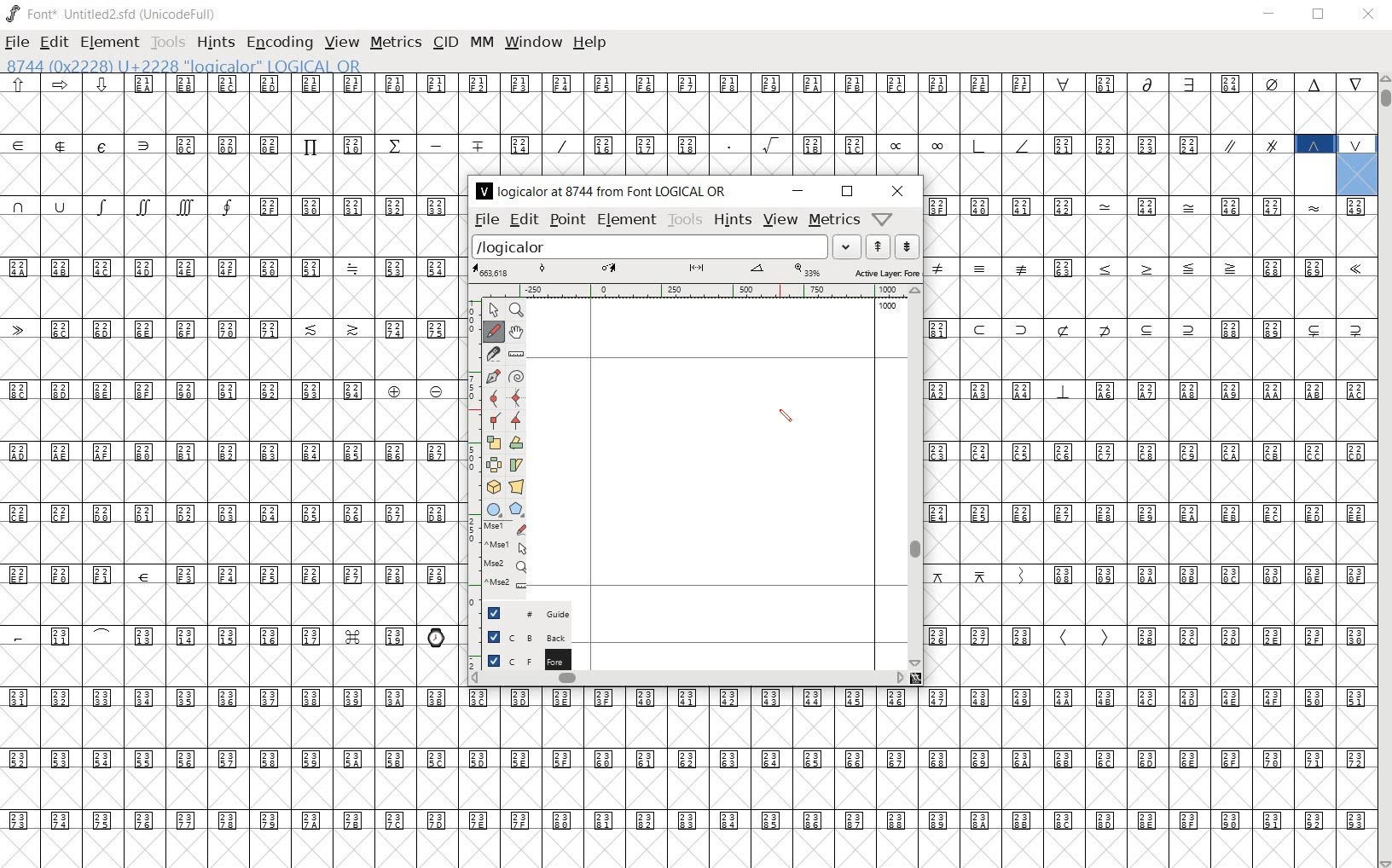 Image resolution: width=1392 pixels, height=868 pixels. Describe the element at coordinates (604, 192) in the screenshot. I see `logicalor at 8744 from Font LOGICAL OR` at that location.